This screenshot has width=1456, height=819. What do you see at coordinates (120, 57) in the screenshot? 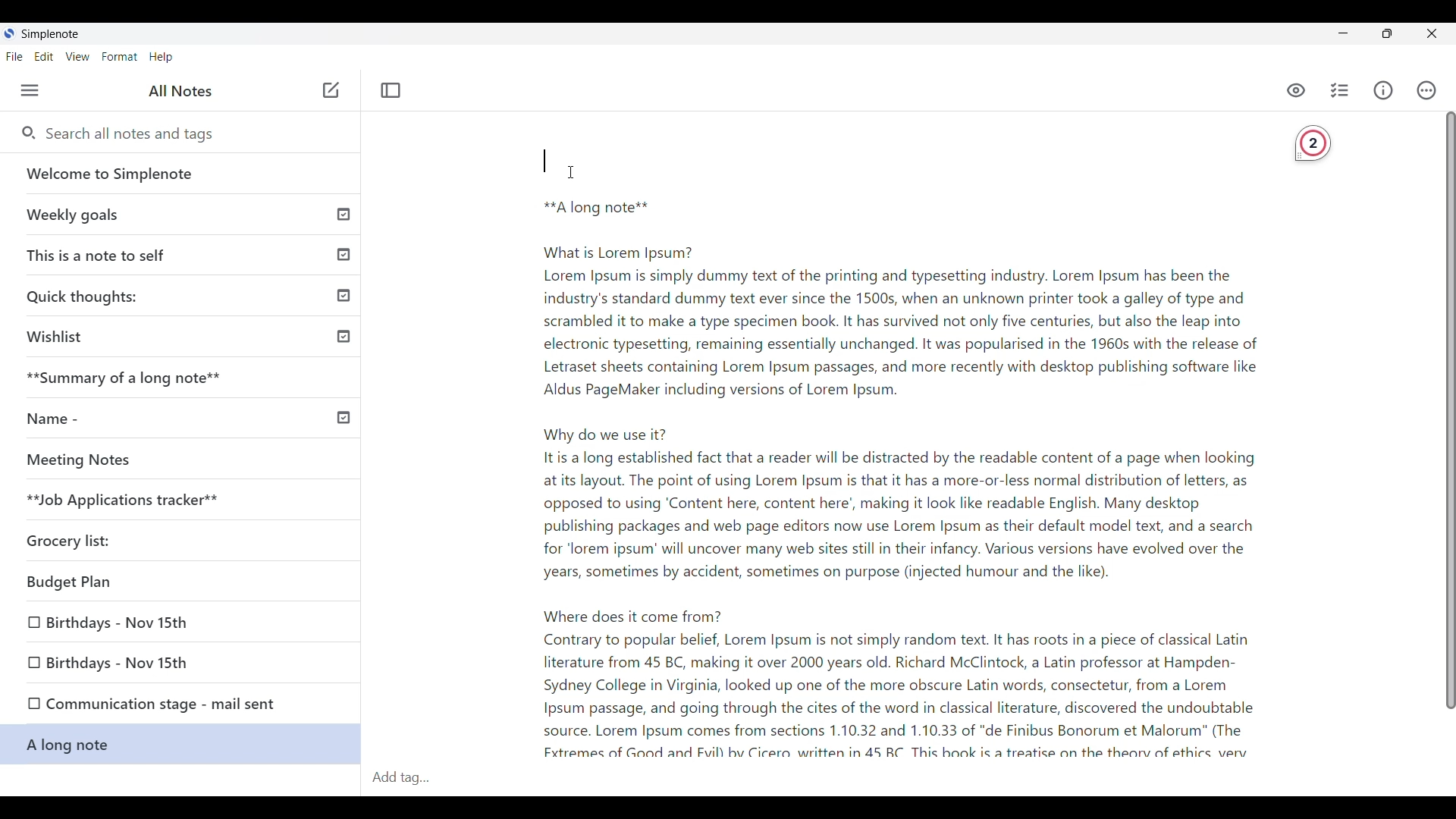
I see `Format` at bounding box center [120, 57].